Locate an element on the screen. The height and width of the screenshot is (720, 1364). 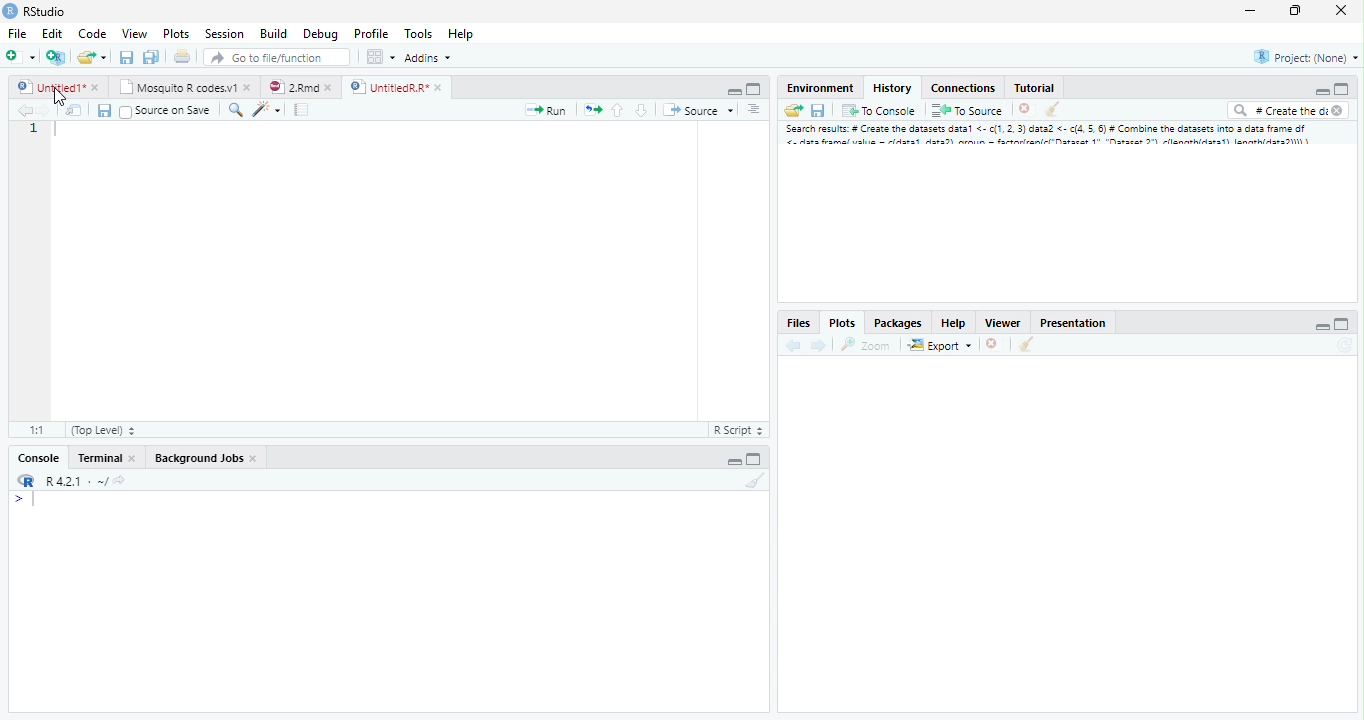
Help is located at coordinates (953, 322).